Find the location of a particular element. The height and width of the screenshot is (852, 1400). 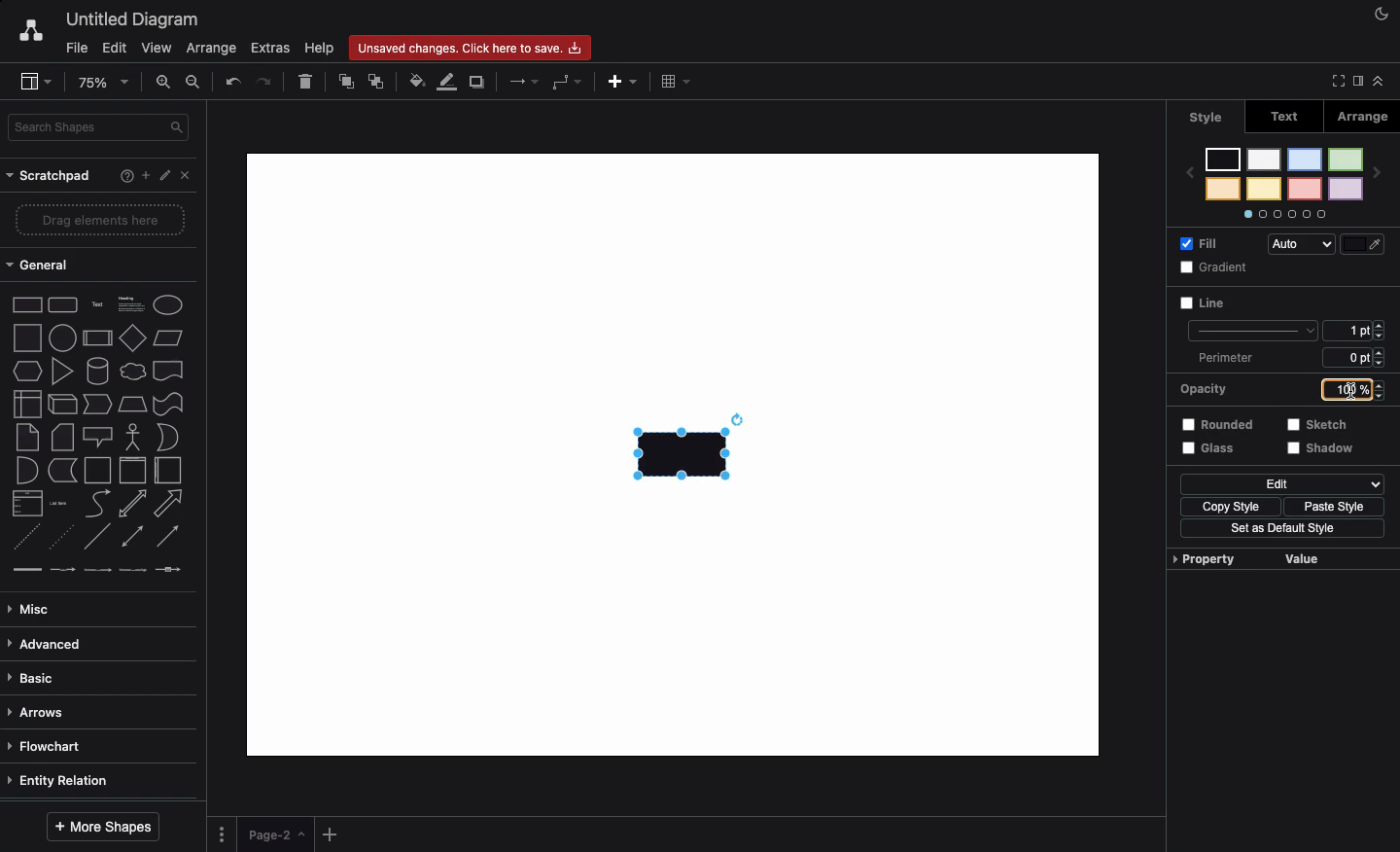

Duplicate is located at coordinates (477, 83).